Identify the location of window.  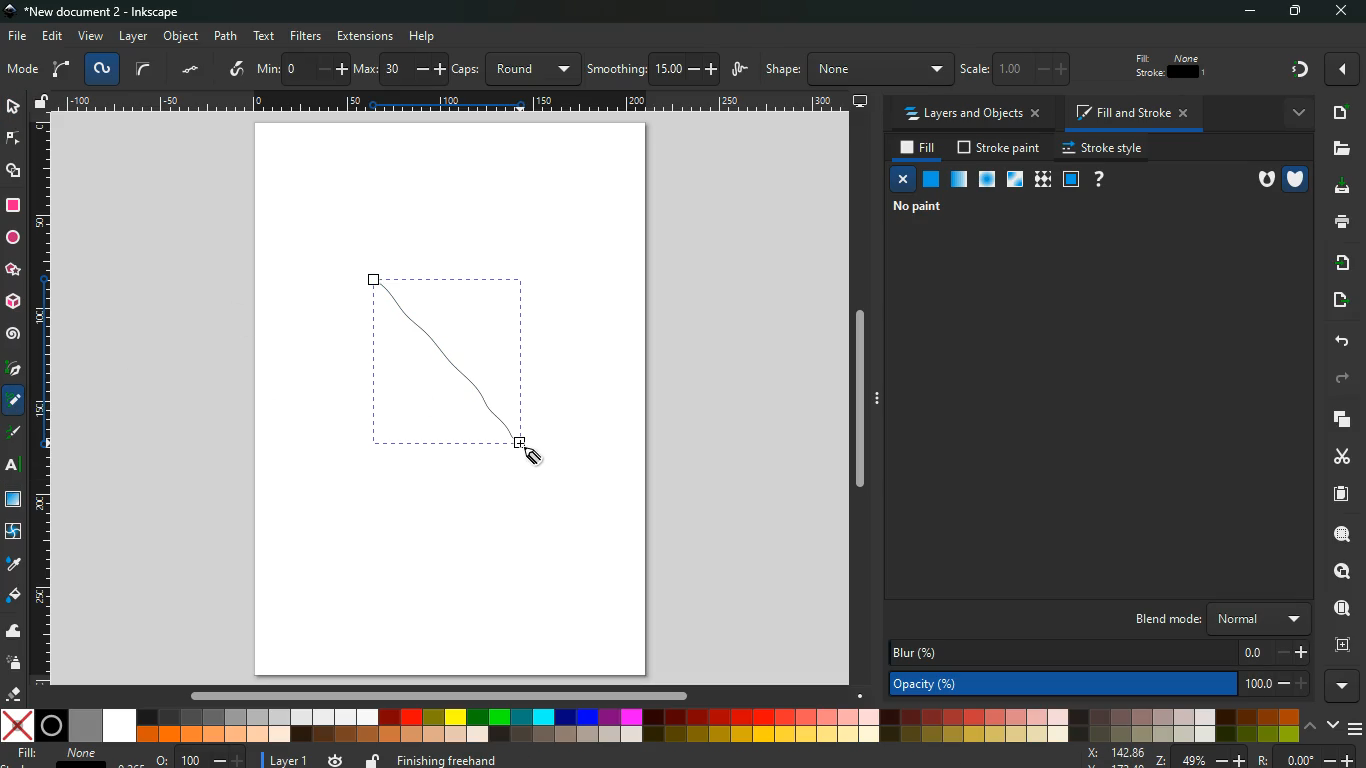
(1014, 180).